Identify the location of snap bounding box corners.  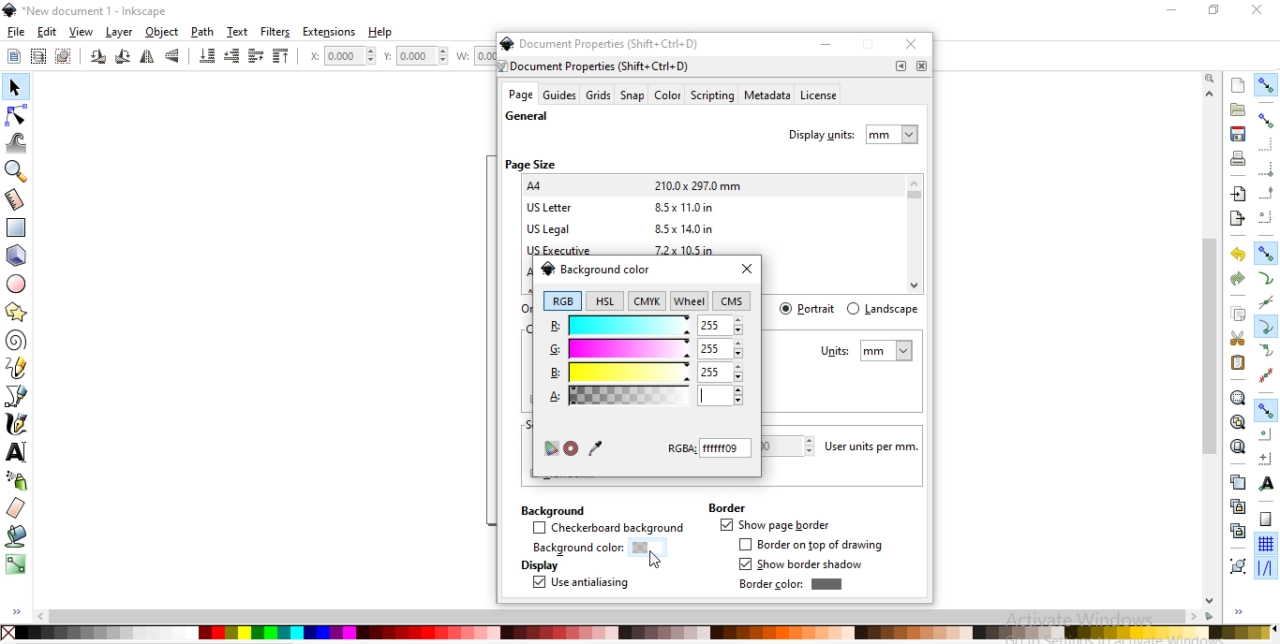
(1266, 169).